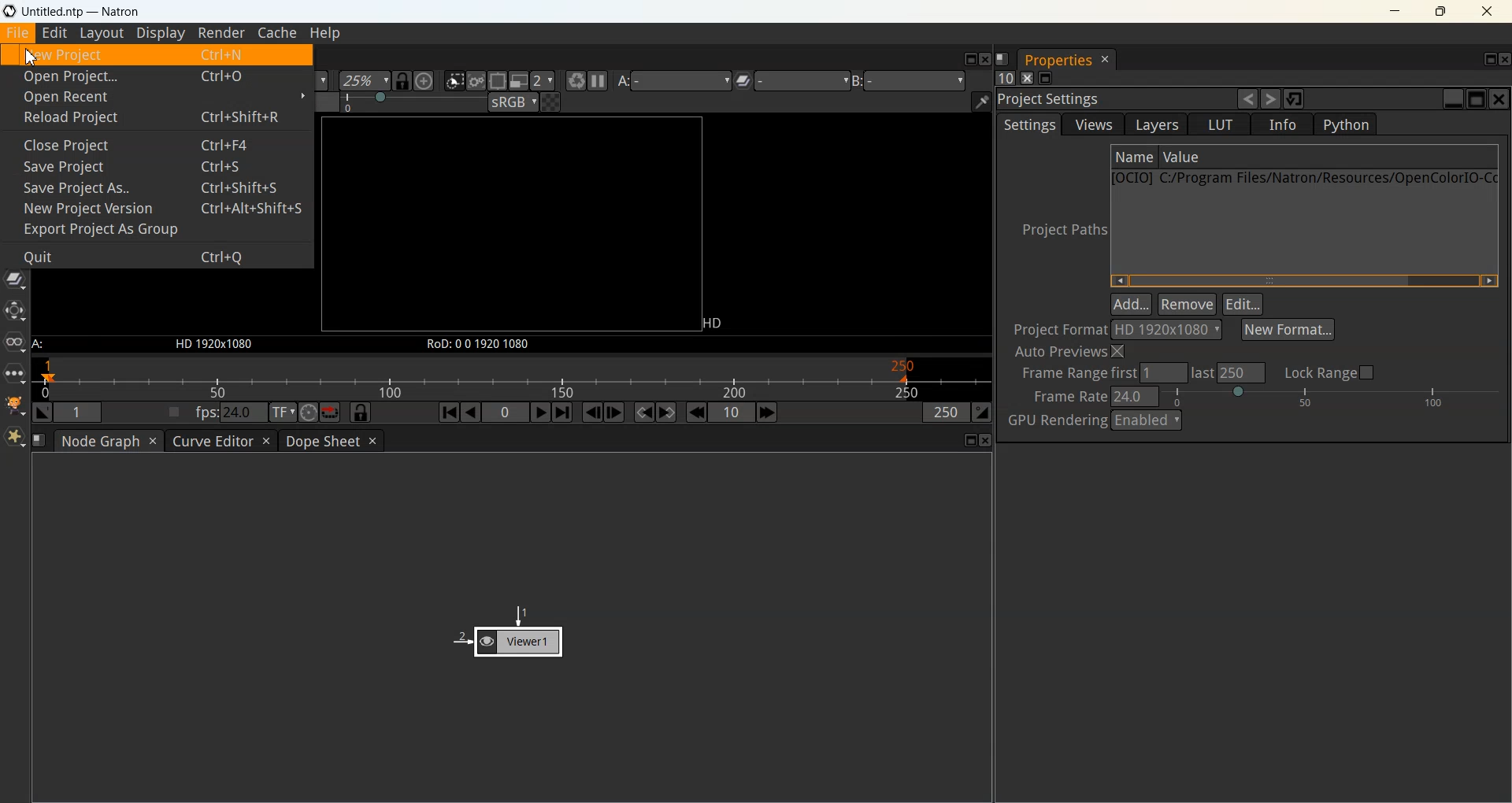 This screenshot has width=1512, height=803. What do you see at coordinates (449, 412) in the screenshot?
I see `First frame` at bounding box center [449, 412].